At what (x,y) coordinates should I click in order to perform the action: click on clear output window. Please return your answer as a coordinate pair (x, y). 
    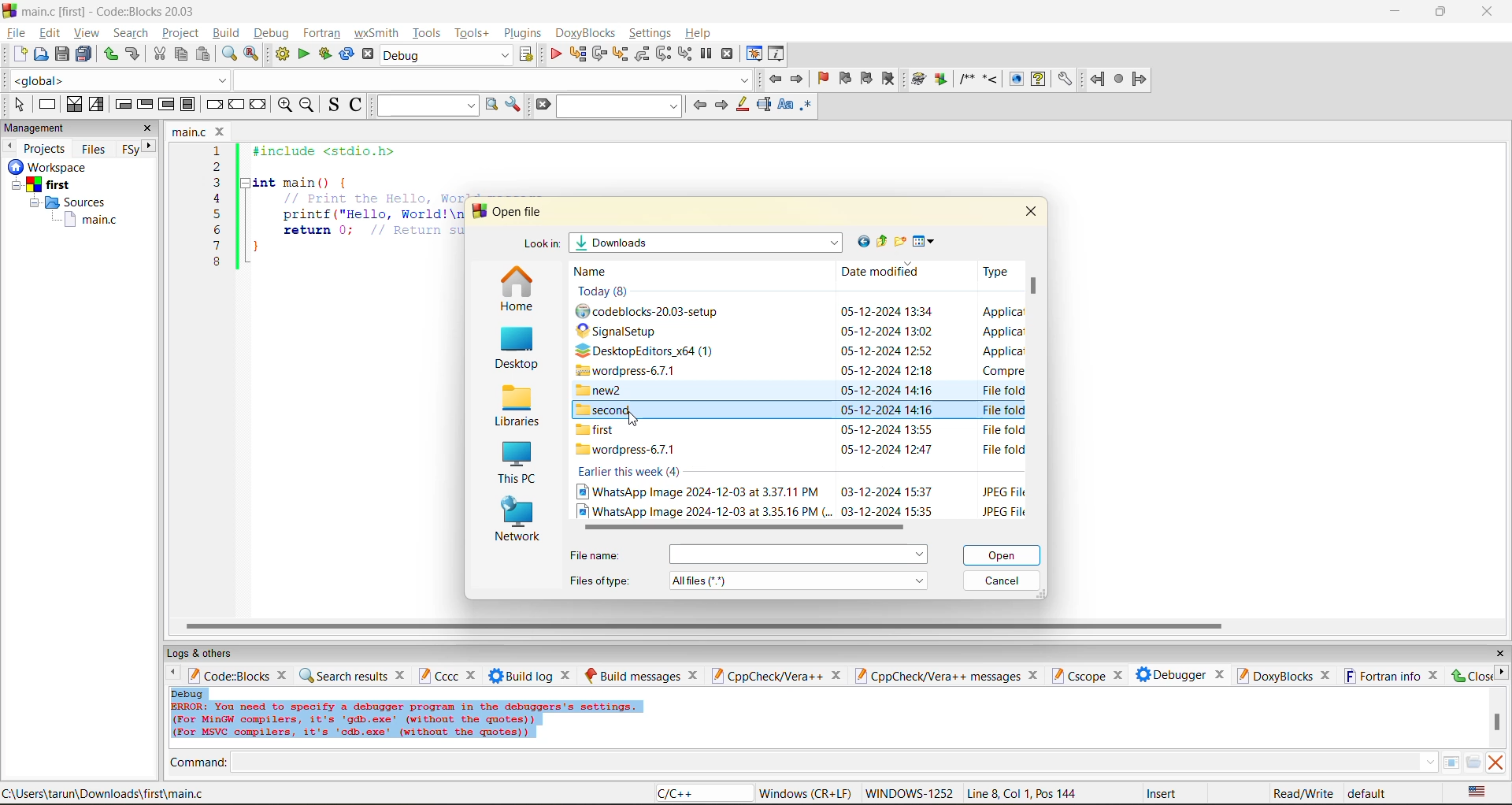
    Looking at the image, I should click on (1495, 762).